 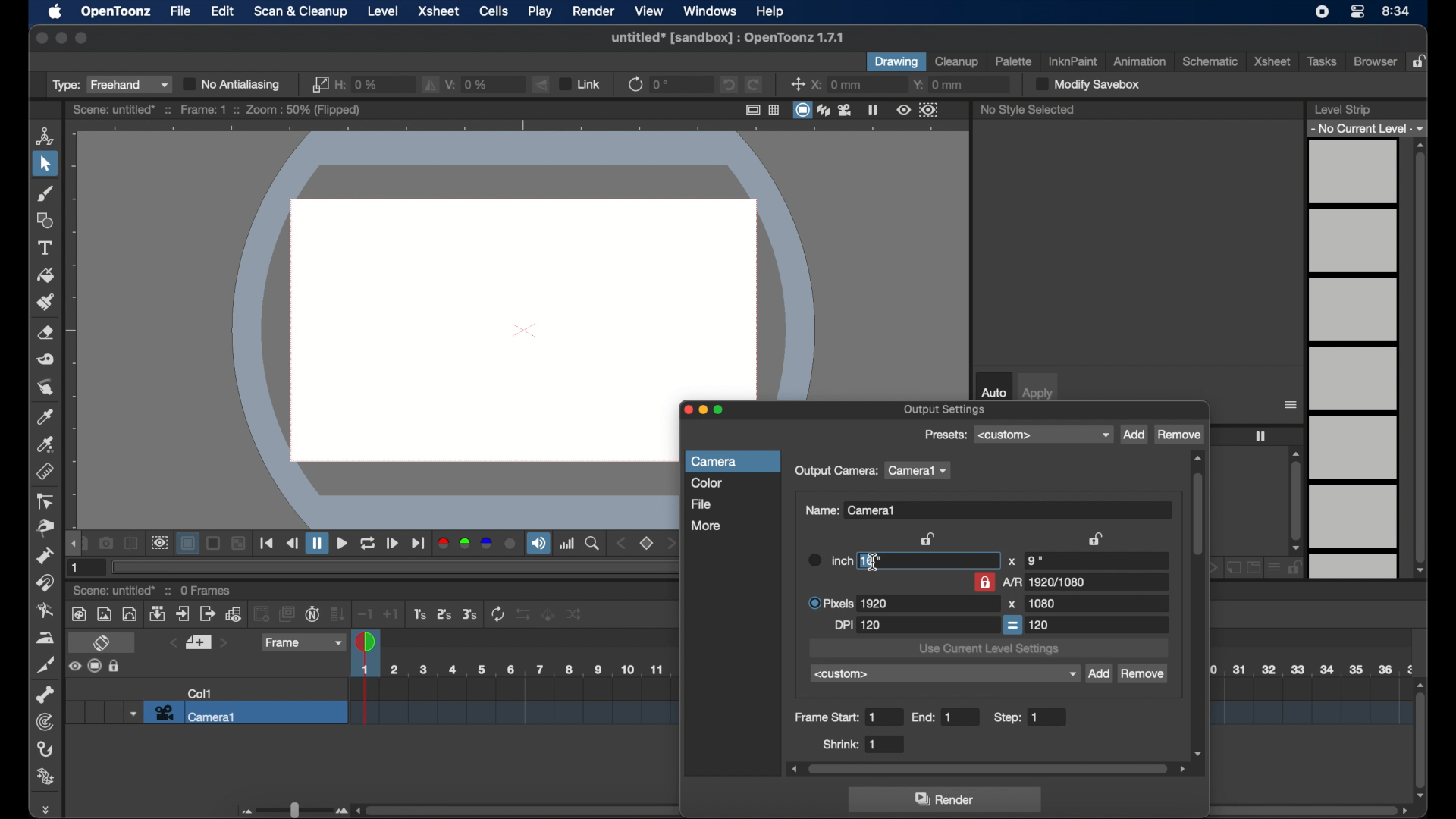 What do you see at coordinates (45, 301) in the screenshot?
I see `paint brush tool` at bounding box center [45, 301].